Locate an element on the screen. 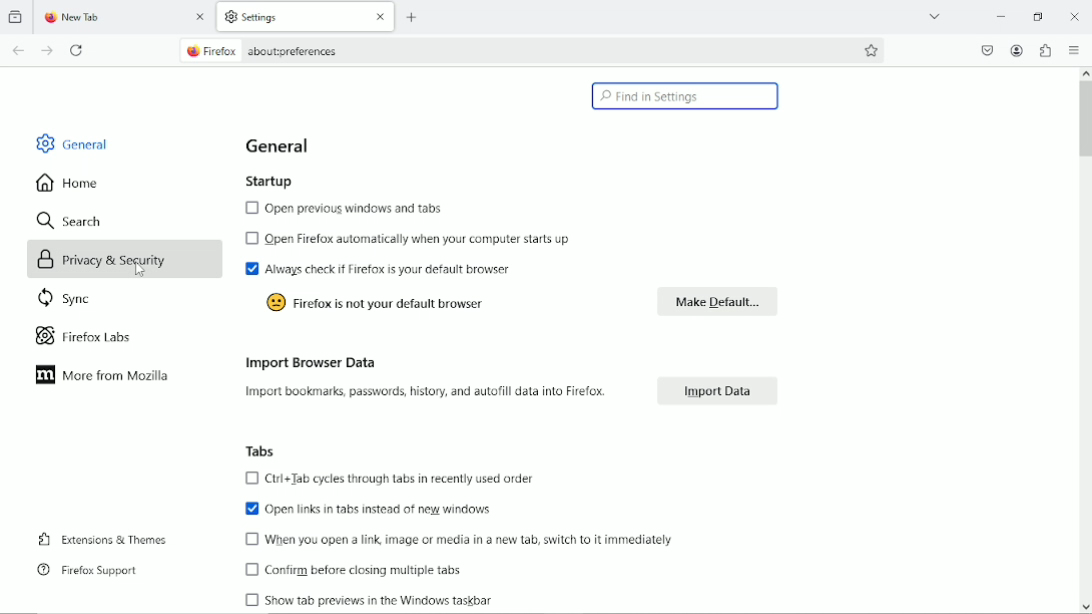 This screenshot has height=614, width=1092. close is located at coordinates (202, 19).